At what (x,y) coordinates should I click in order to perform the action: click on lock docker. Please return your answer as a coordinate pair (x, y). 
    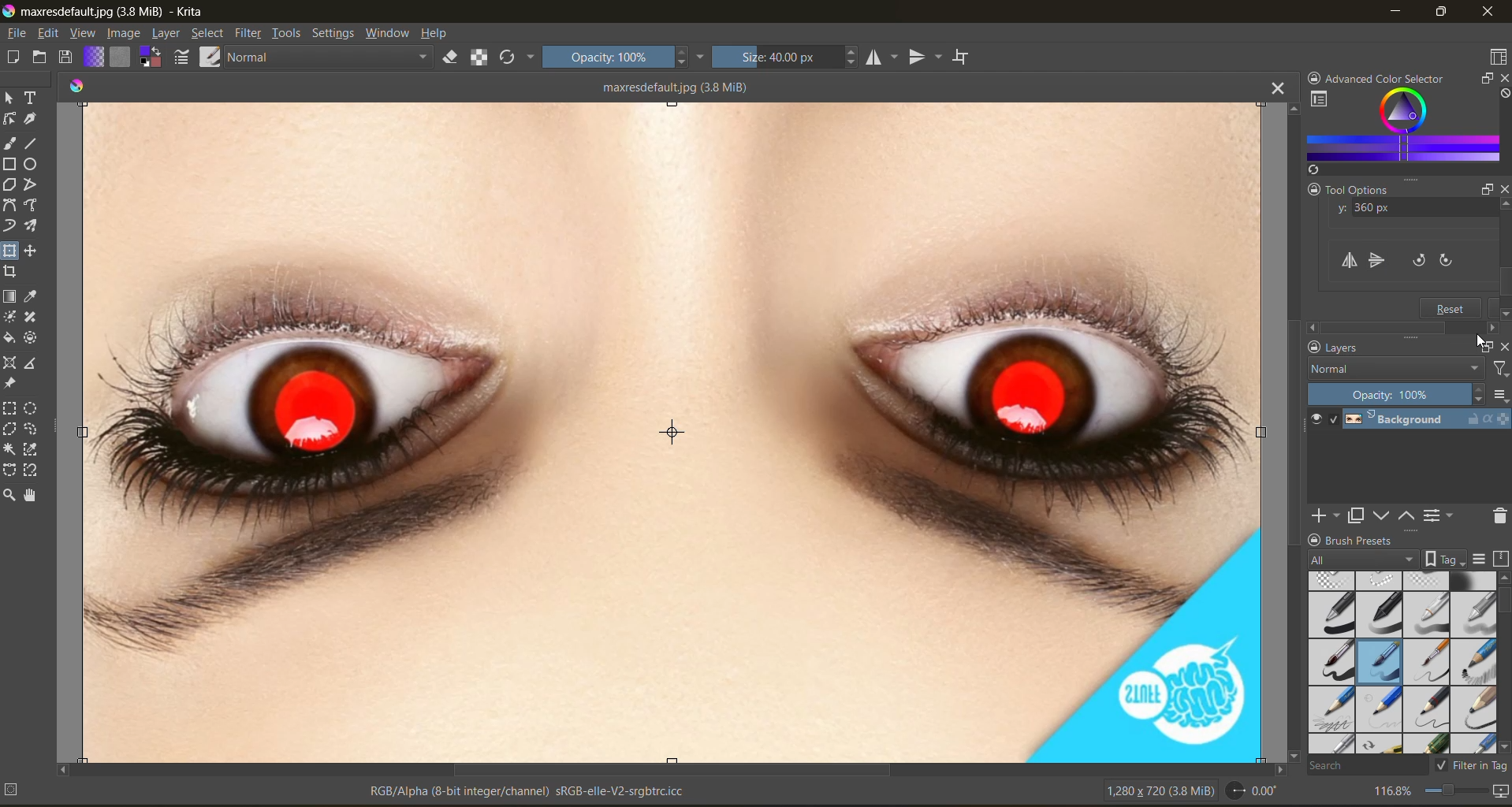
    Looking at the image, I should click on (1315, 540).